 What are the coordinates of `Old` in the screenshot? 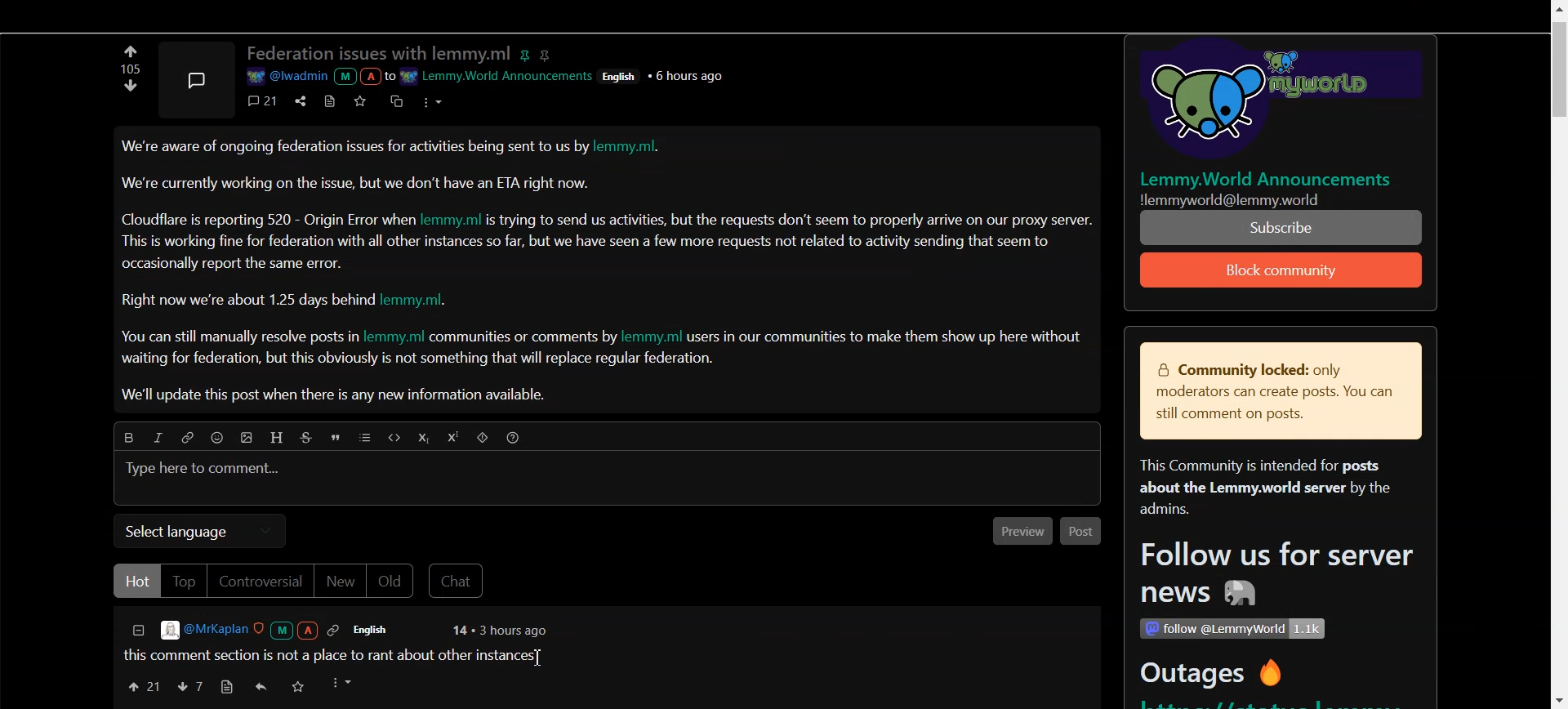 It's located at (393, 582).